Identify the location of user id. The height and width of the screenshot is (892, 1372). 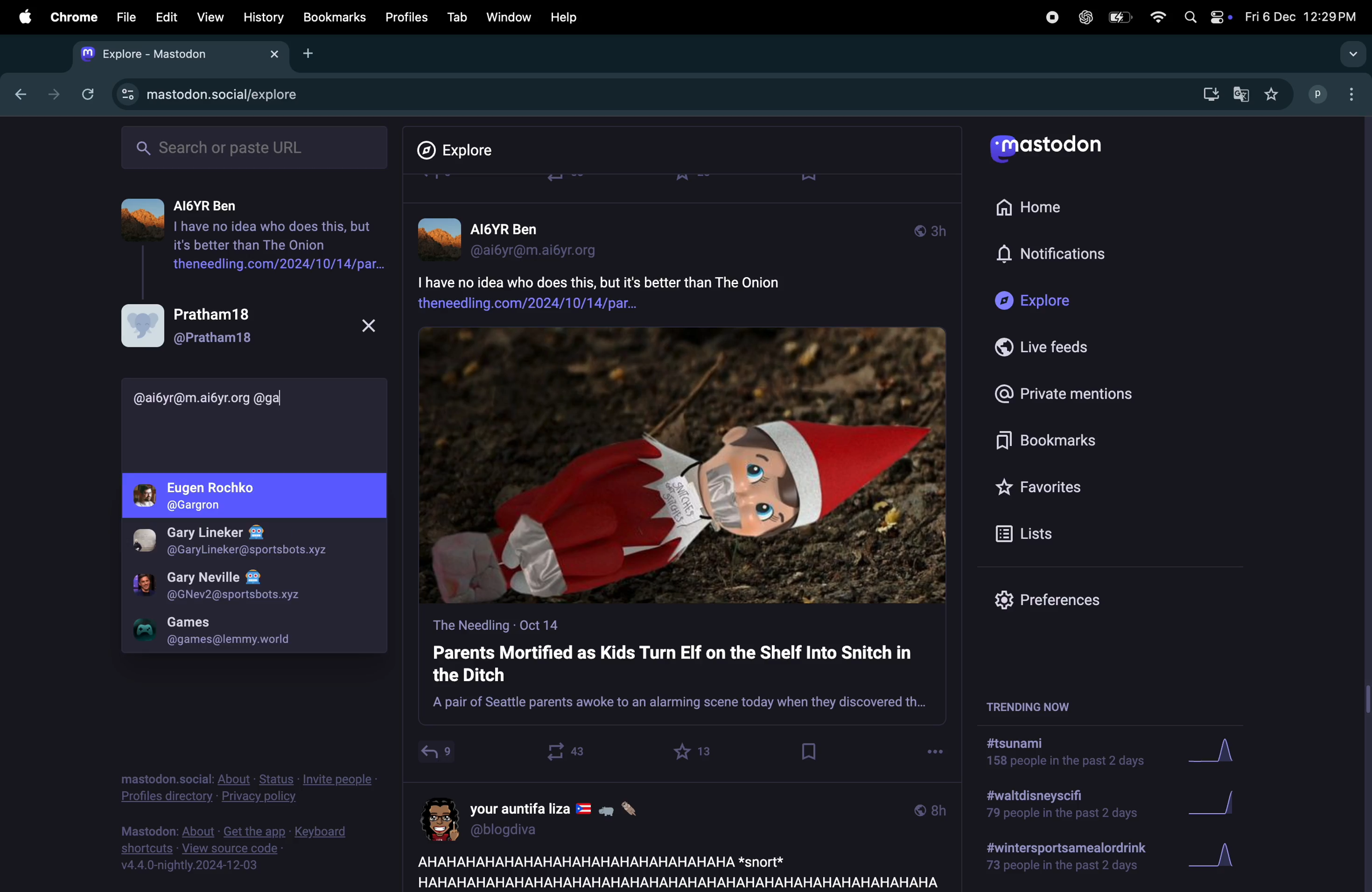
(221, 398).